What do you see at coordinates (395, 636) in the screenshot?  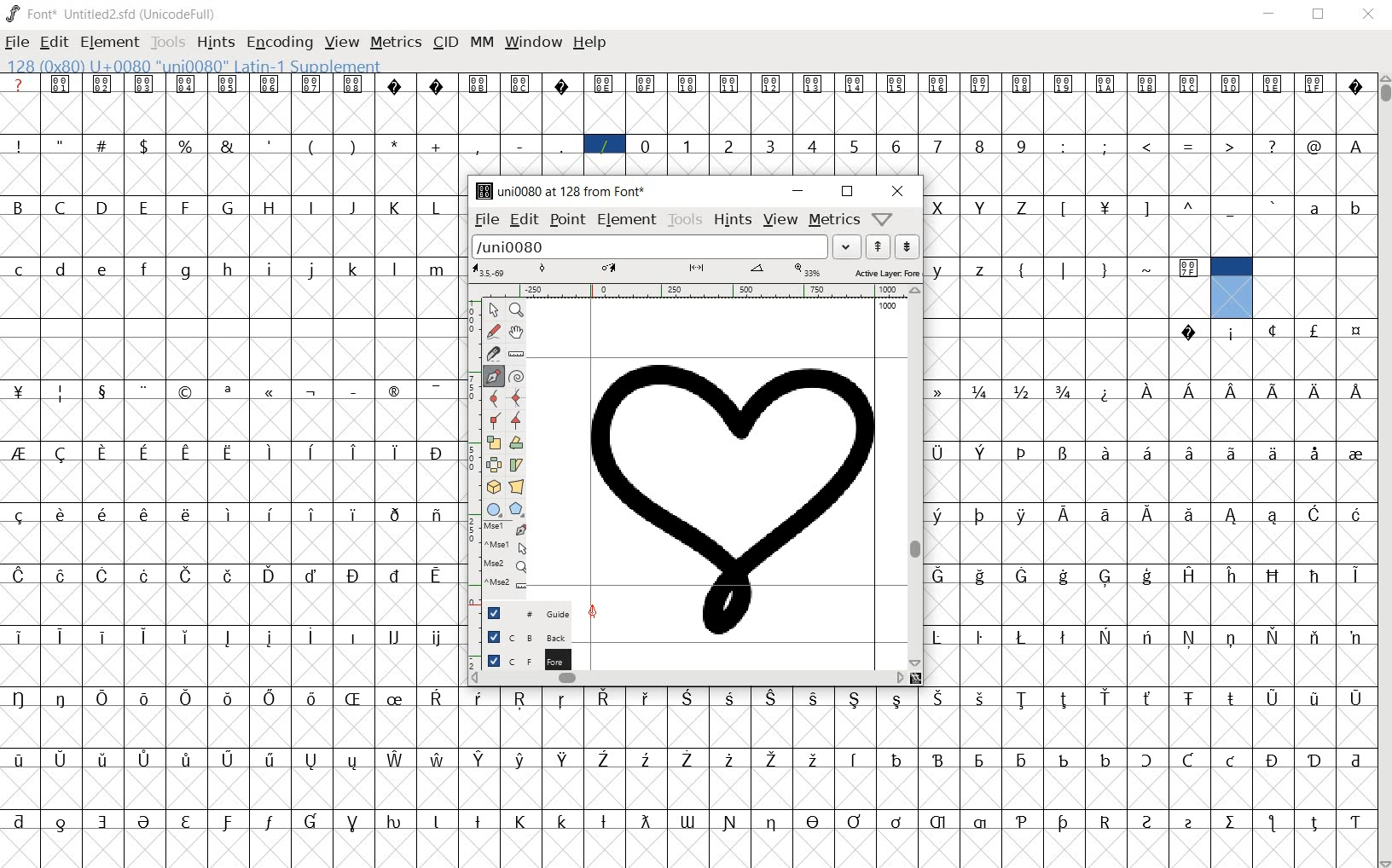 I see `glyph` at bounding box center [395, 636].